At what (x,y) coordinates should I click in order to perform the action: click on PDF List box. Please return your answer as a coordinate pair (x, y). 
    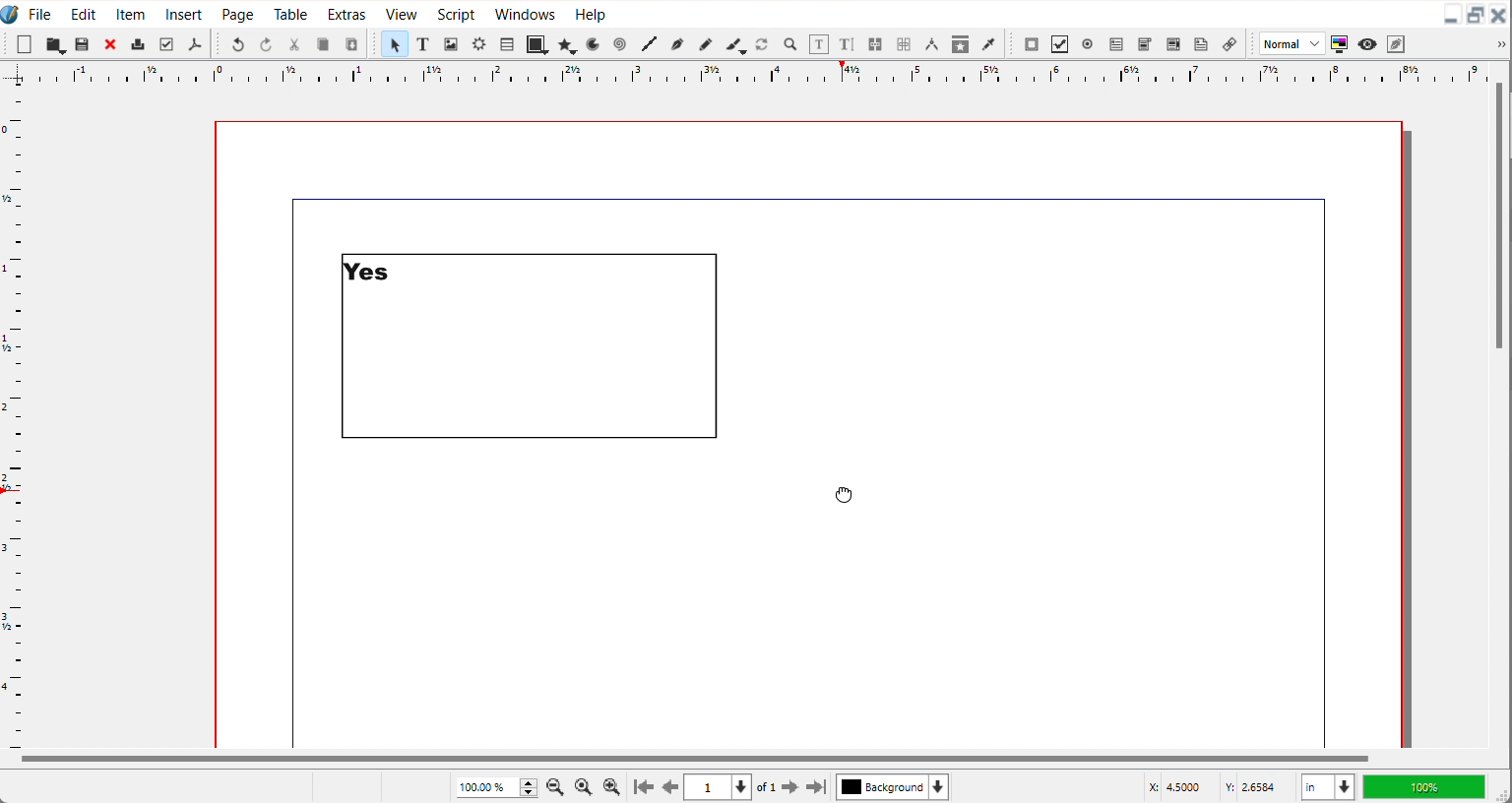
    Looking at the image, I should click on (1174, 44).